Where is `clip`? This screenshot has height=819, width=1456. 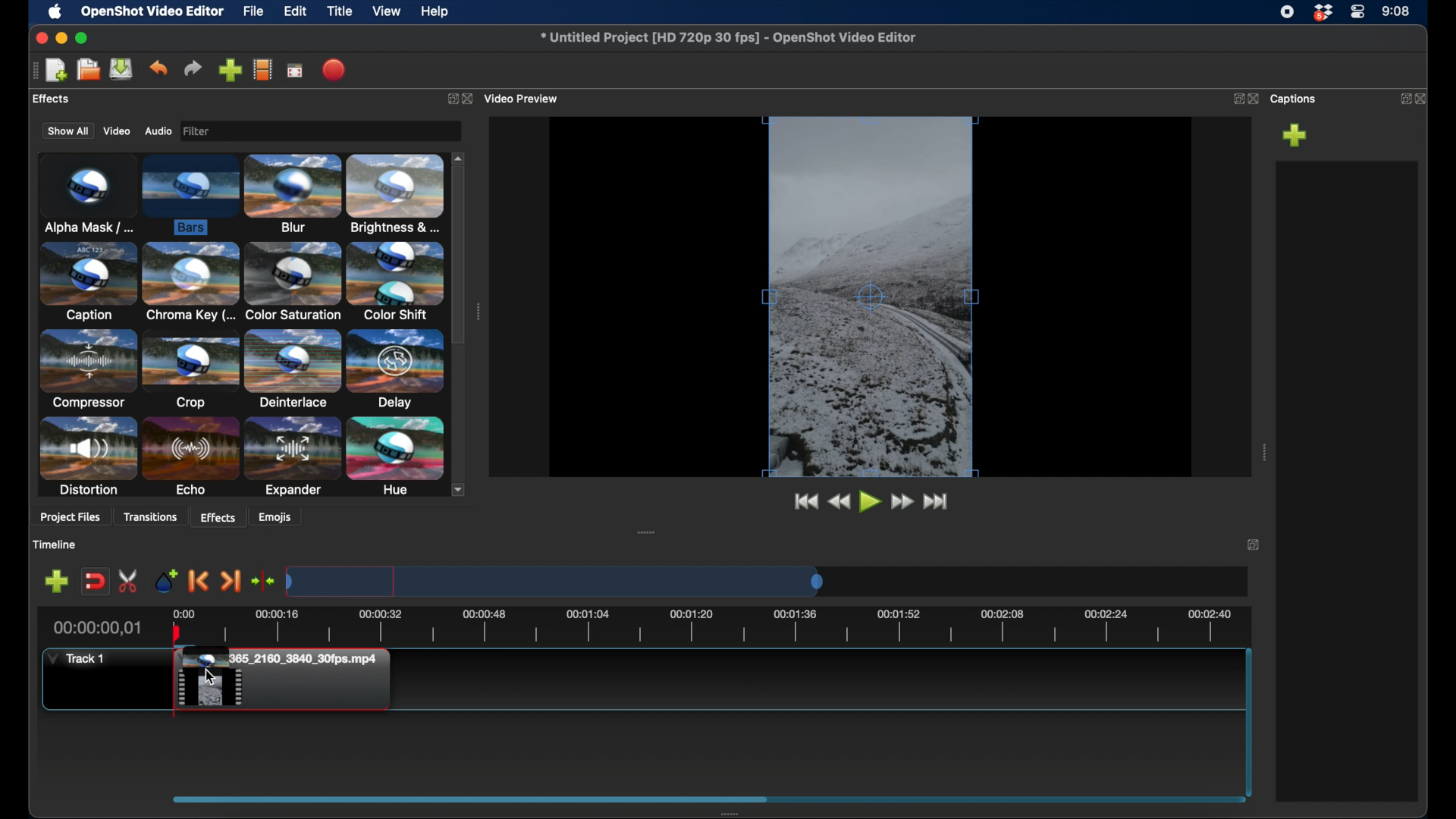
clip is located at coordinates (287, 682).